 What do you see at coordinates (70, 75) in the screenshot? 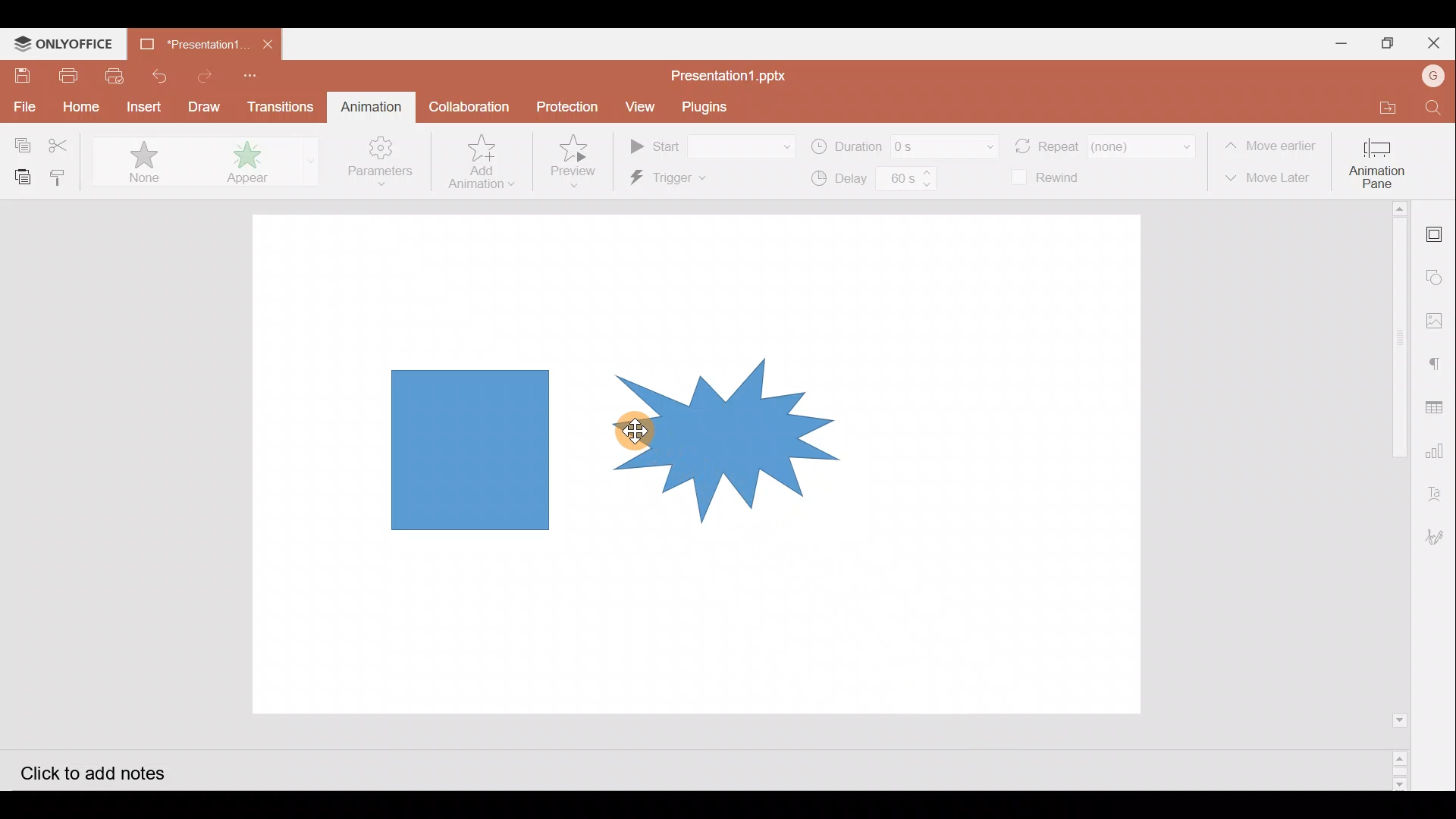
I see `Print file` at bounding box center [70, 75].